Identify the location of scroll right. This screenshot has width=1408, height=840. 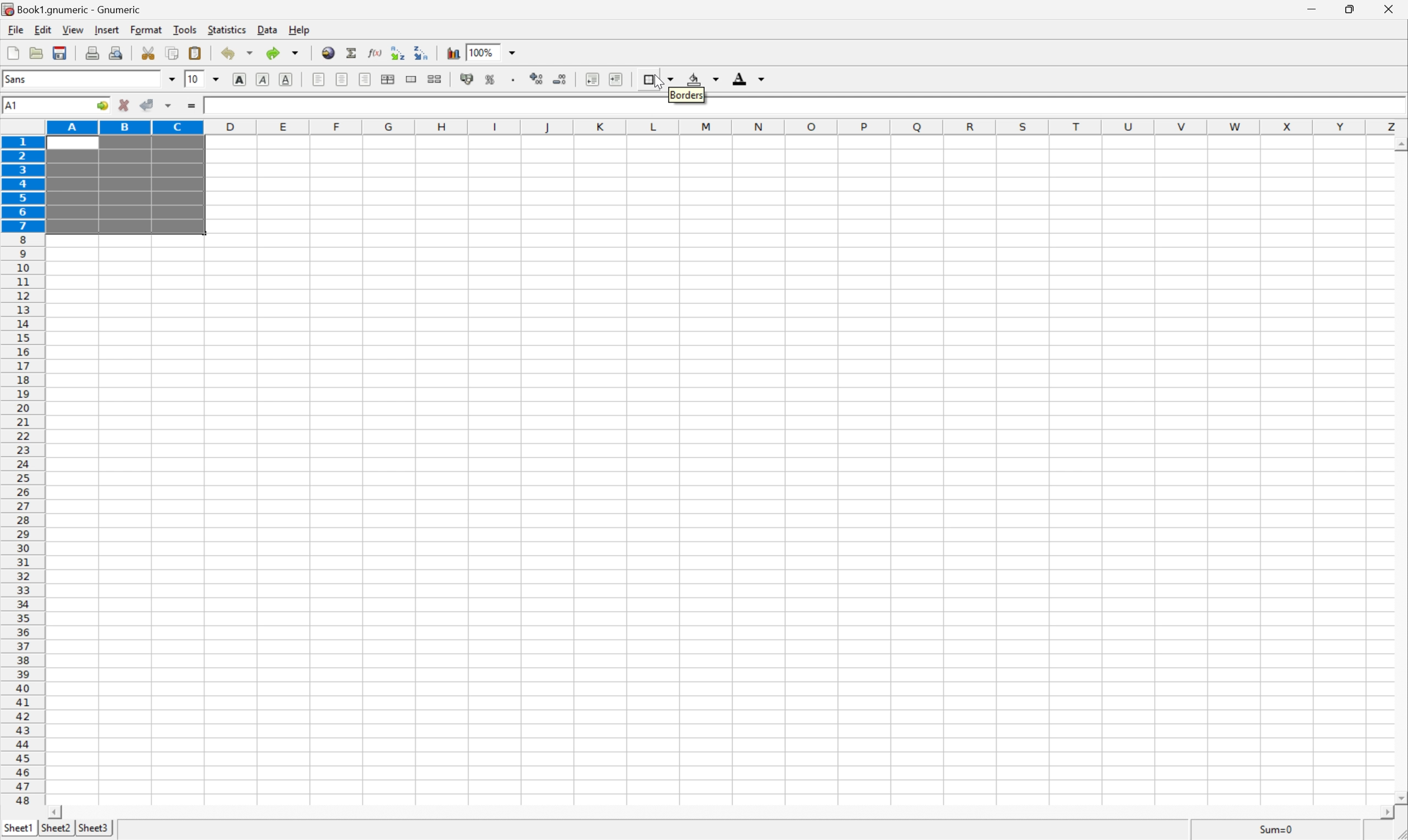
(1390, 818).